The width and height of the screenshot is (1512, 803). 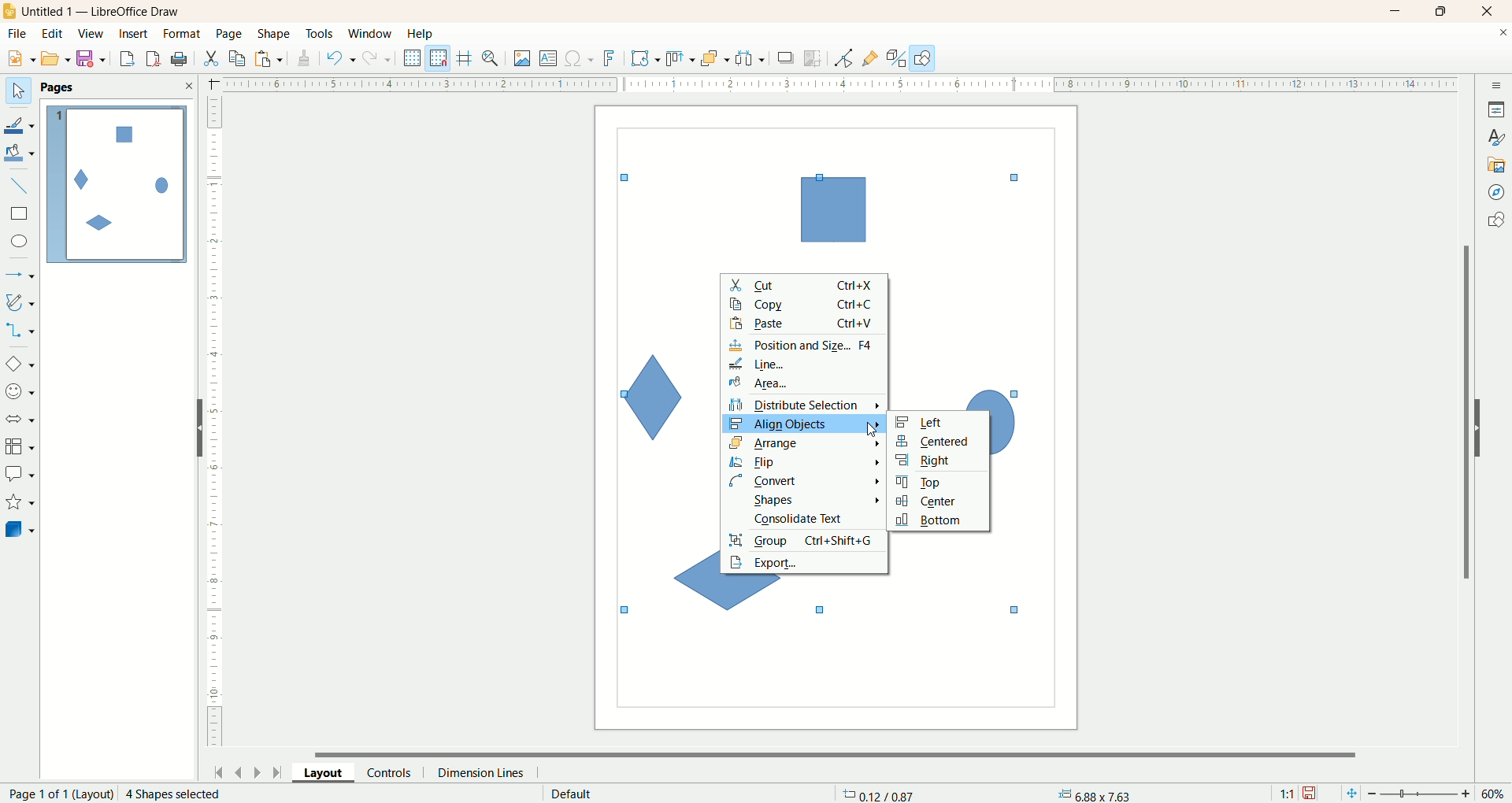 I want to click on shape, so click(x=275, y=35).